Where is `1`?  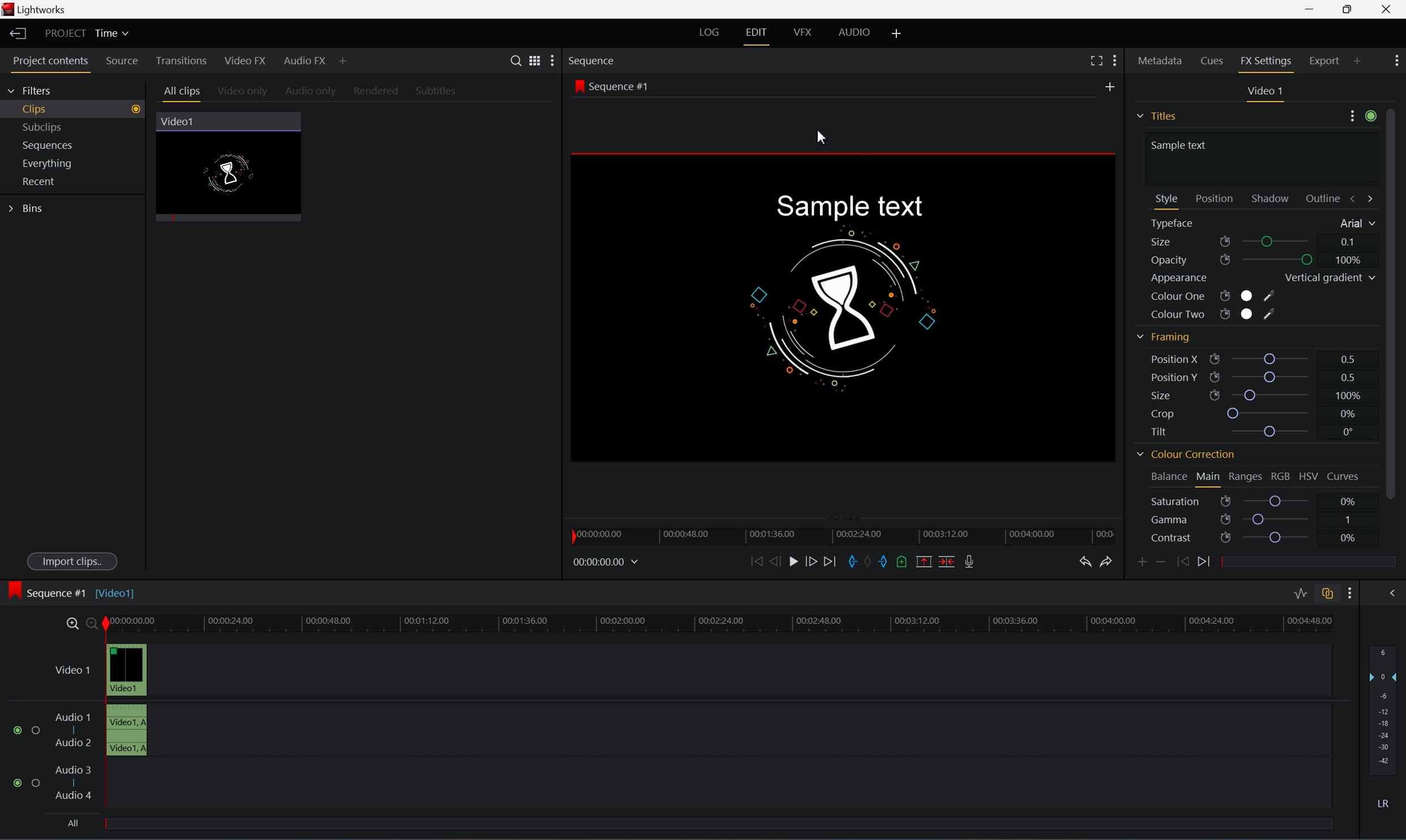
1 is located at coordinates (1348, 518).